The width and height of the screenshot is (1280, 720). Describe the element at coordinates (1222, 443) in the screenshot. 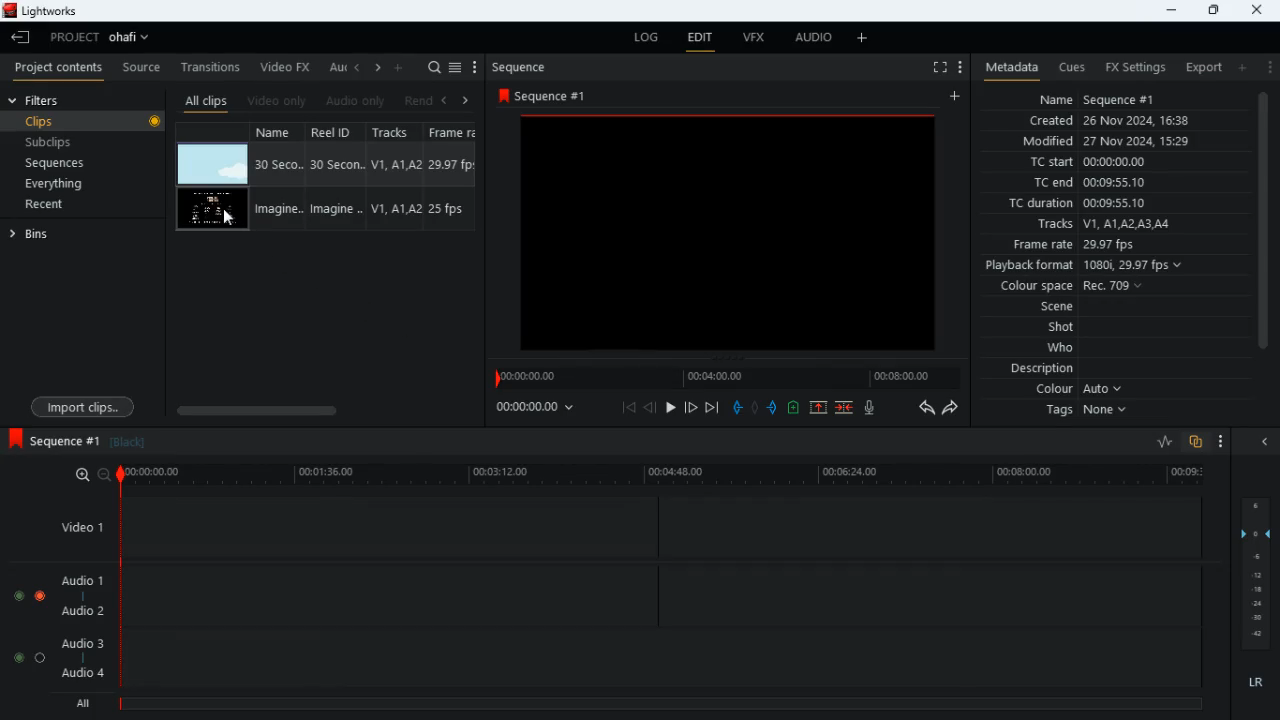

I see `more` at that location.